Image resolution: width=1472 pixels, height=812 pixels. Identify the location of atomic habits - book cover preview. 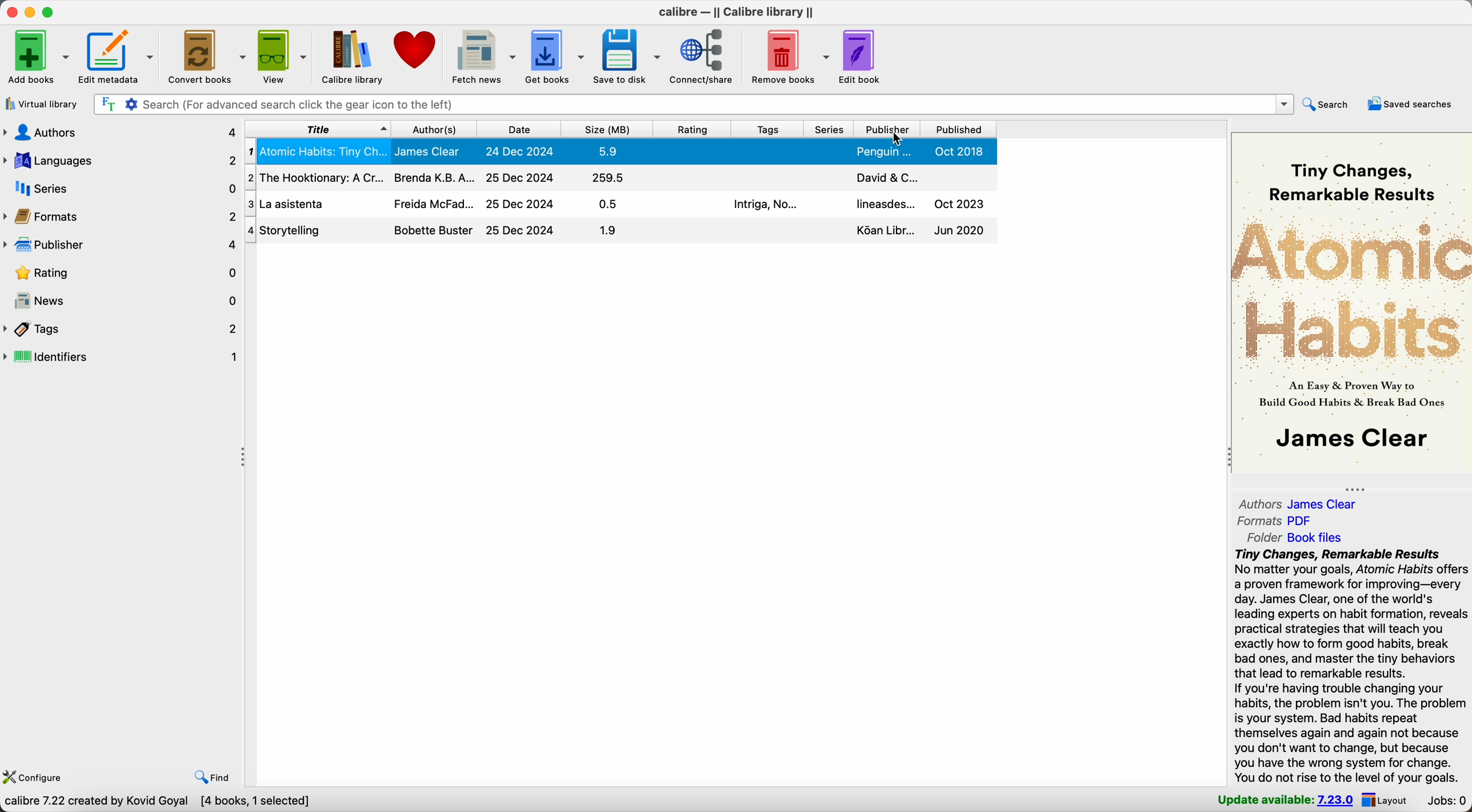
(1351, 305).